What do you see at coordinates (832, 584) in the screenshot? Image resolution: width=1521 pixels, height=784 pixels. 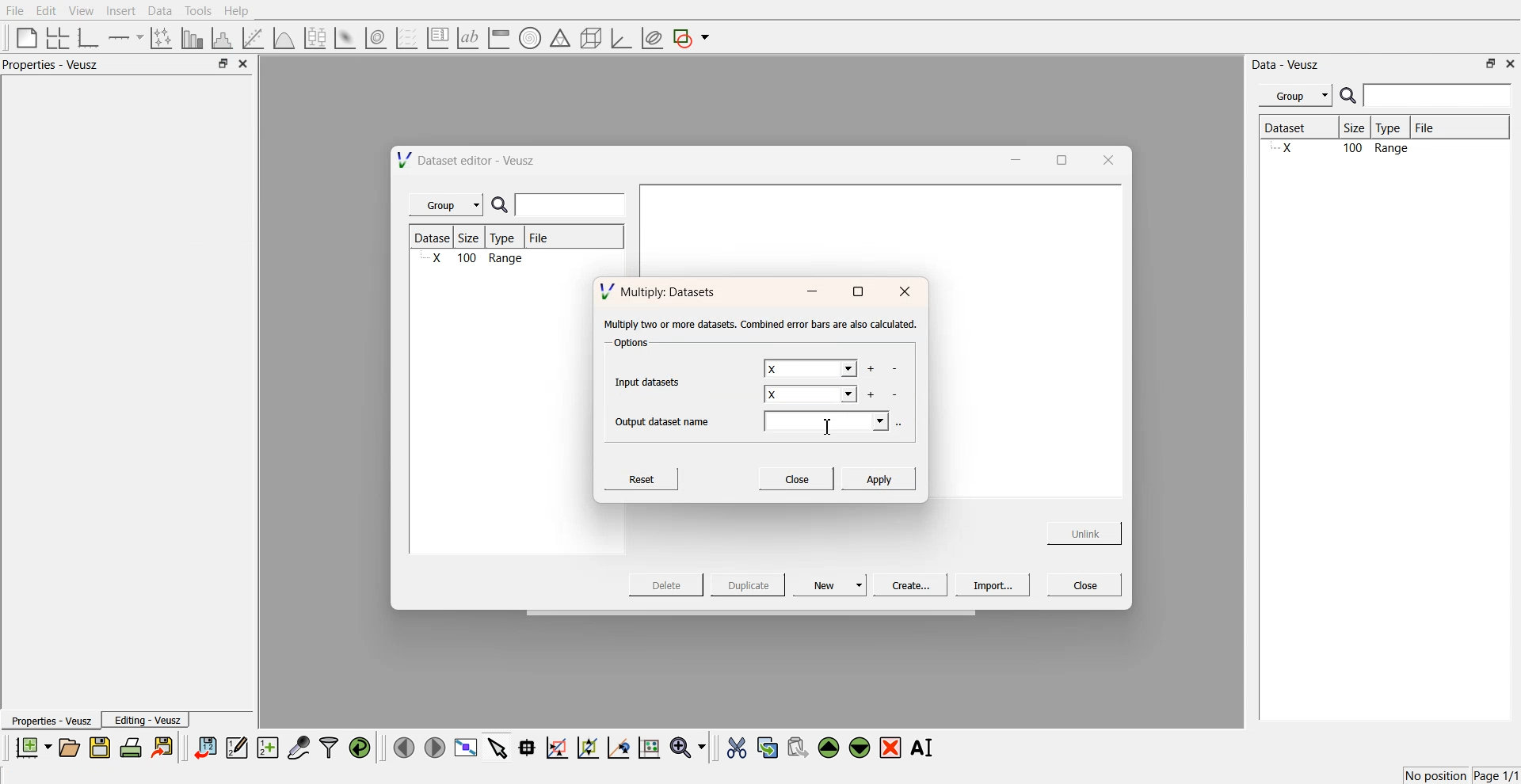 I see `New` at bounding box center [832, 584].